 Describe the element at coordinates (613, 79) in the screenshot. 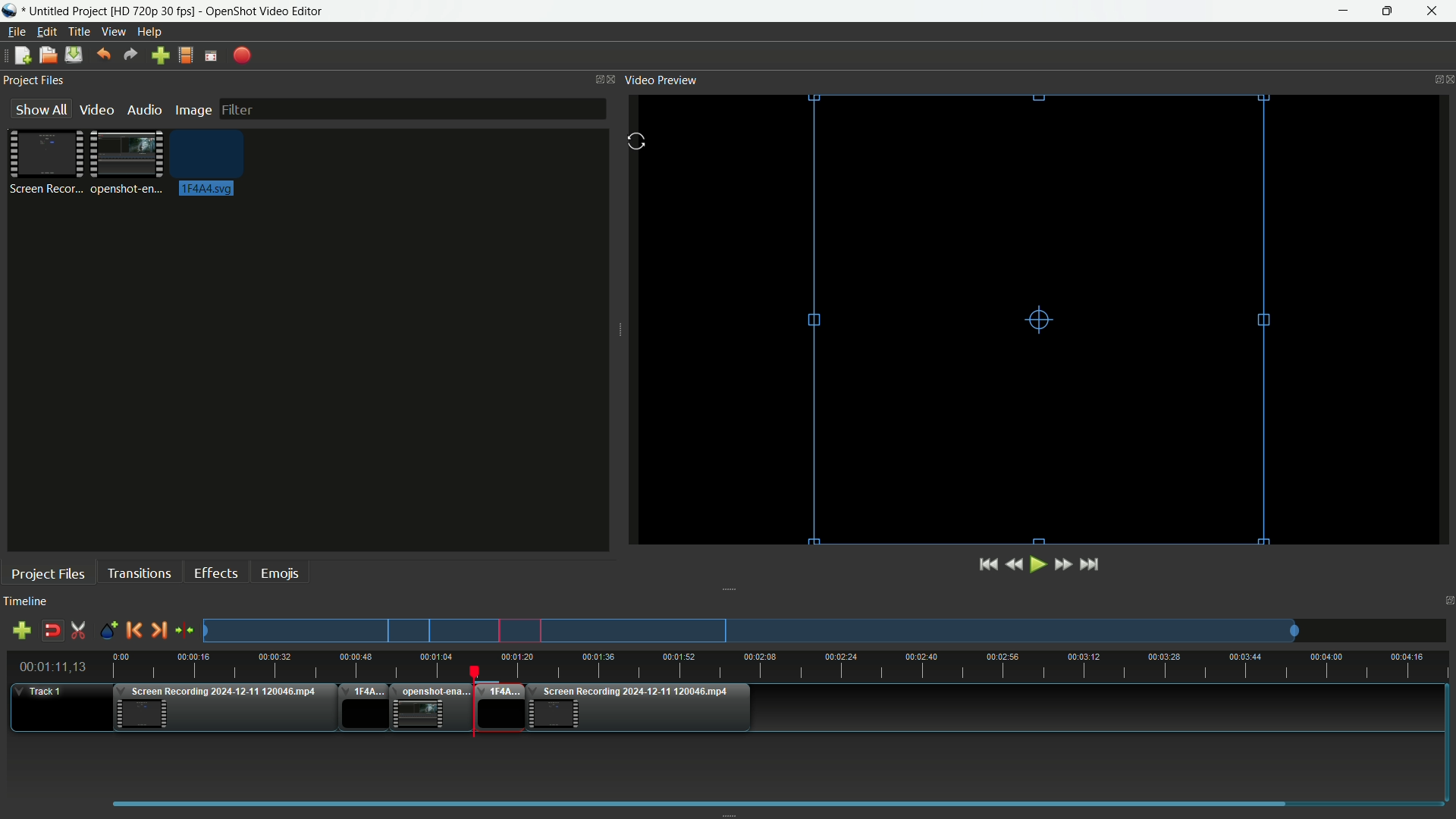

I see `Close project files` at that location.